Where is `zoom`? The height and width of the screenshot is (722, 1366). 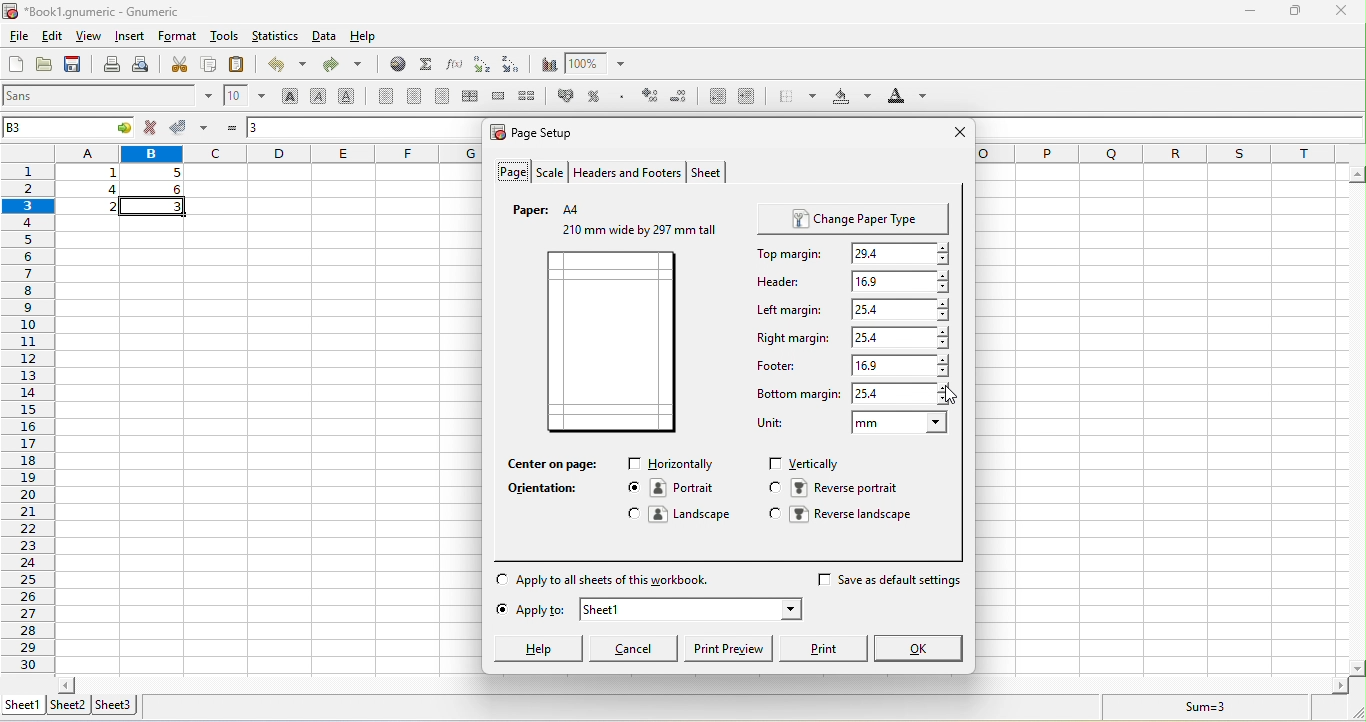
zoom is located at coordinates (602, 64).